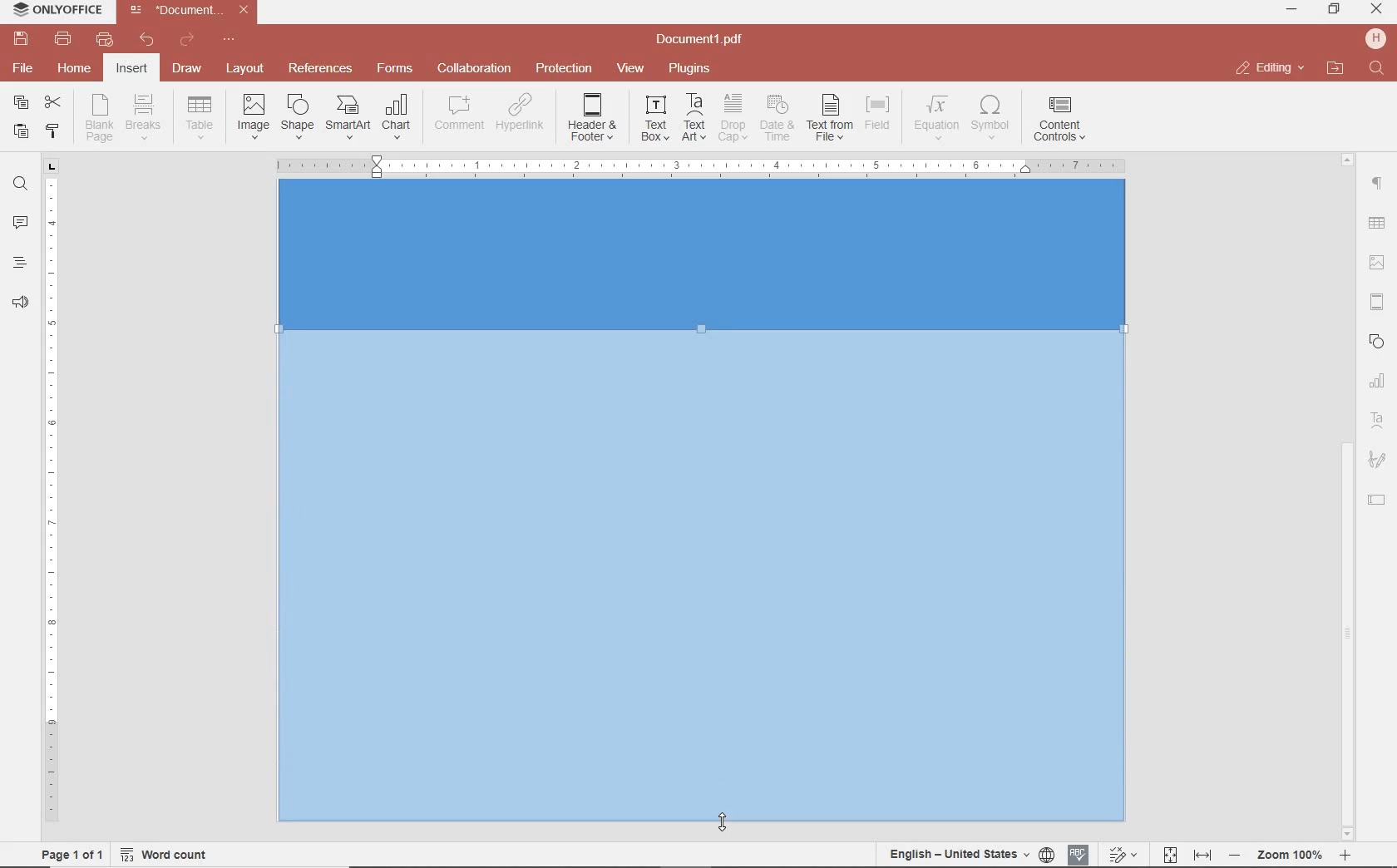 This screenshot has width=1397, height=868. What do you see at coordinates (63, 39) in the screenshot?
I see `print file` at bounding box center [63, 39].